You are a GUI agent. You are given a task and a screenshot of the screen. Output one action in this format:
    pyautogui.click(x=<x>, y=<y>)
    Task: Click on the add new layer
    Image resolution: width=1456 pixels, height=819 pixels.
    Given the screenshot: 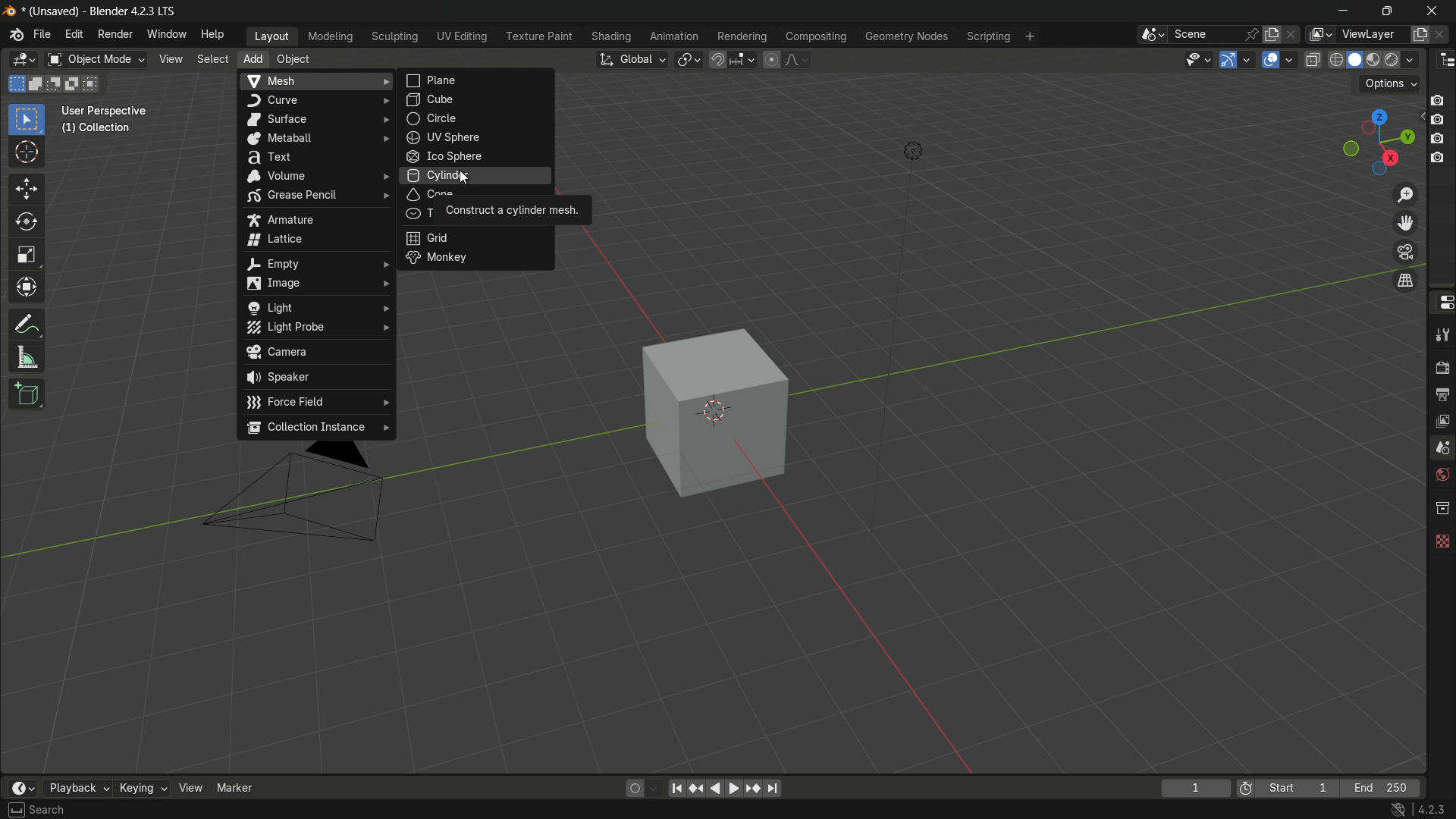 What is the action you would take?
    pyautogui.click(x=1420, y=36)
    